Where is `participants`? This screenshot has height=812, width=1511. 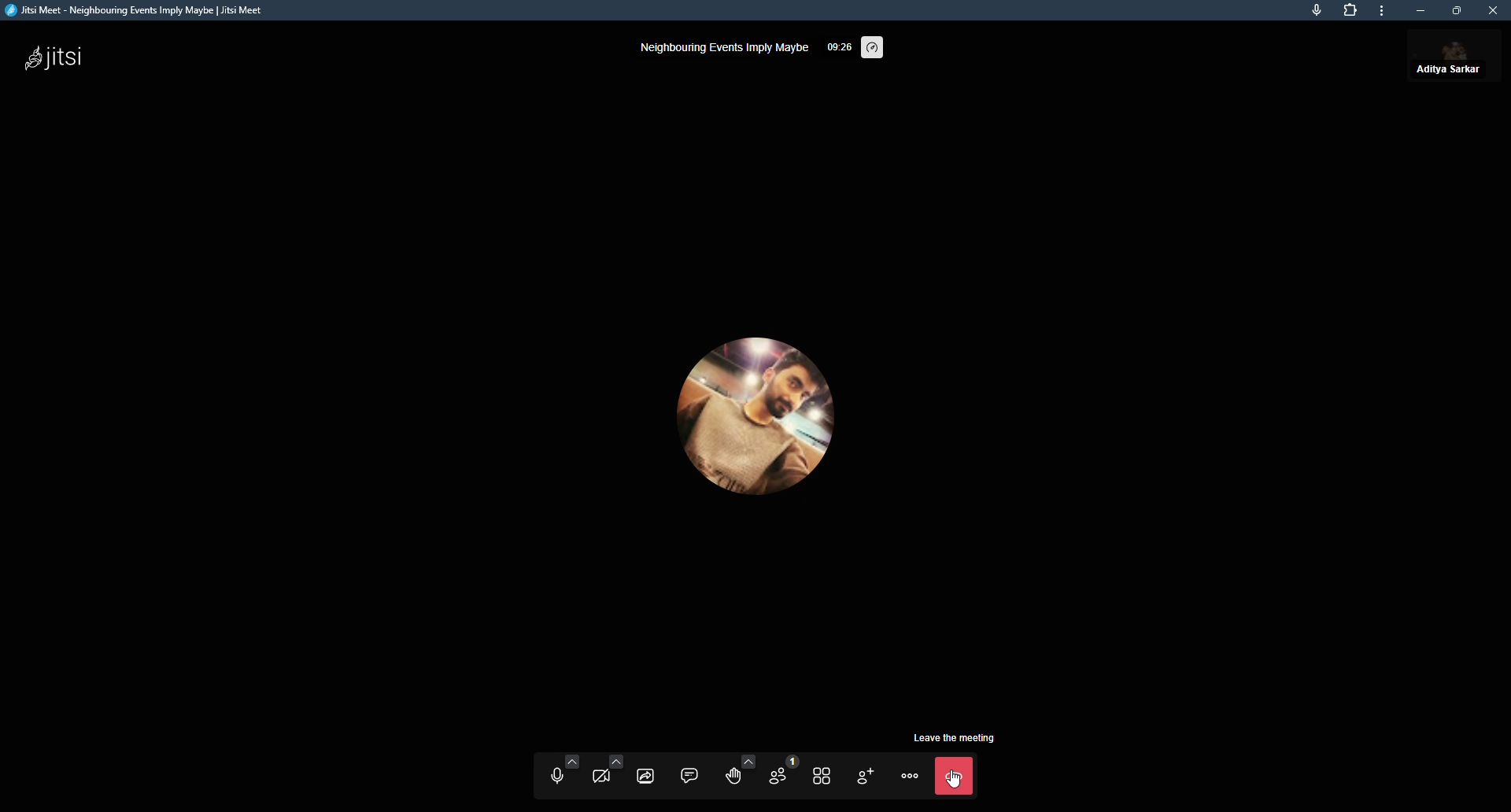
participants is located at coordinates (780, 772).